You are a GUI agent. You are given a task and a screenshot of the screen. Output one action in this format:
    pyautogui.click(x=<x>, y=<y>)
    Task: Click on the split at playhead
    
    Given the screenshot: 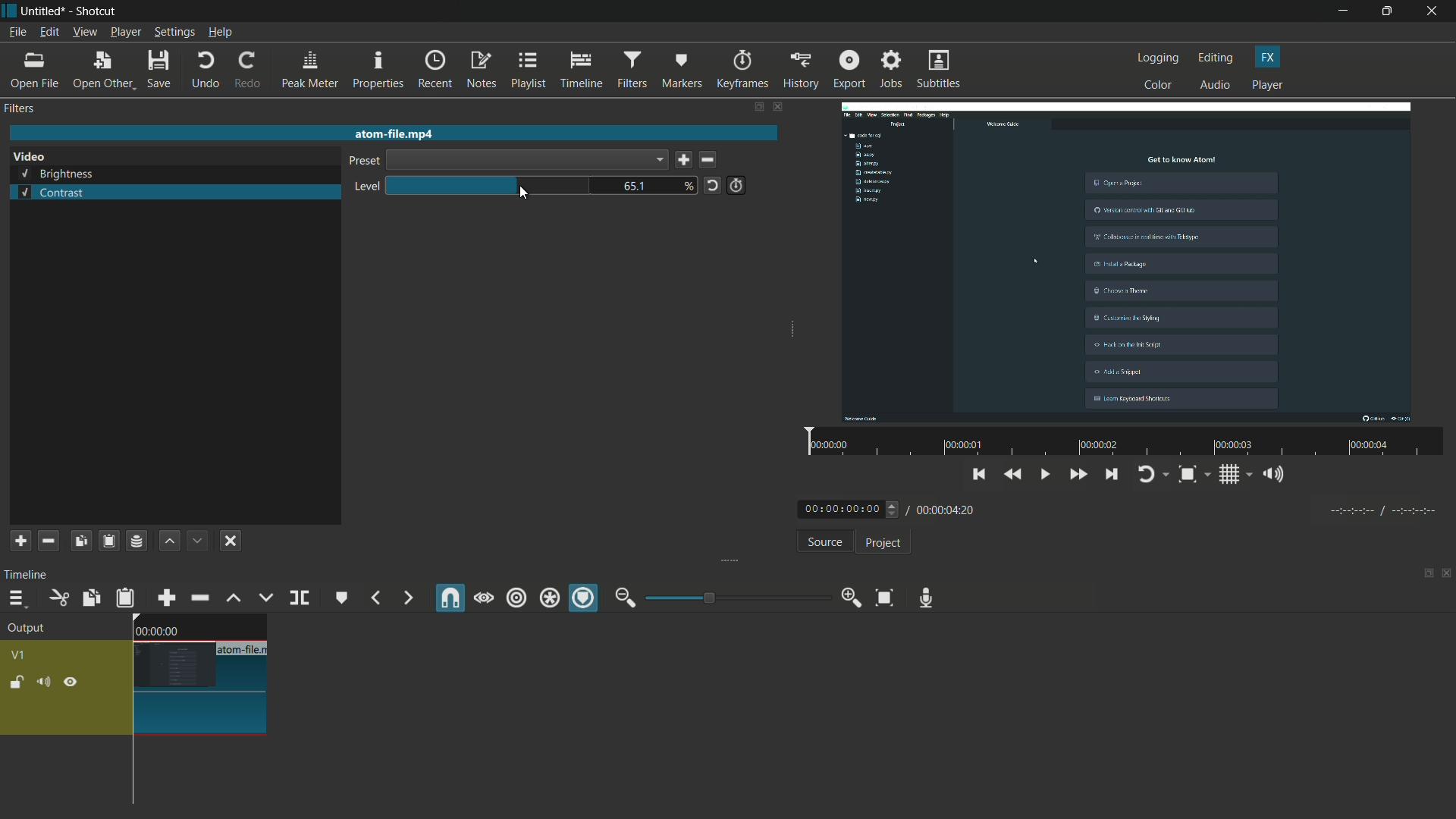 What is the action you would take?
    pyautogui.click(x=301, y=599)
    